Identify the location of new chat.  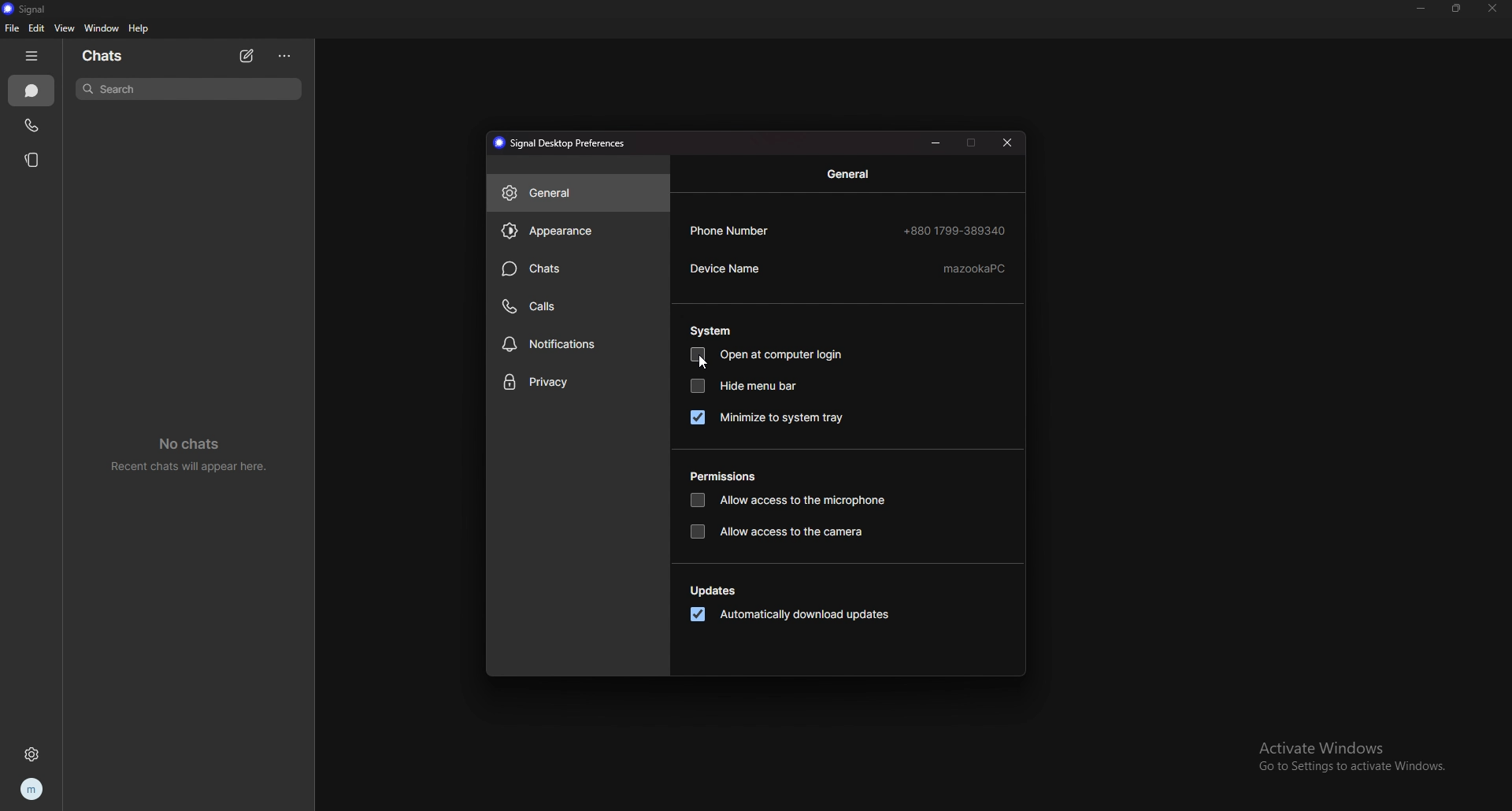
(246, 56).